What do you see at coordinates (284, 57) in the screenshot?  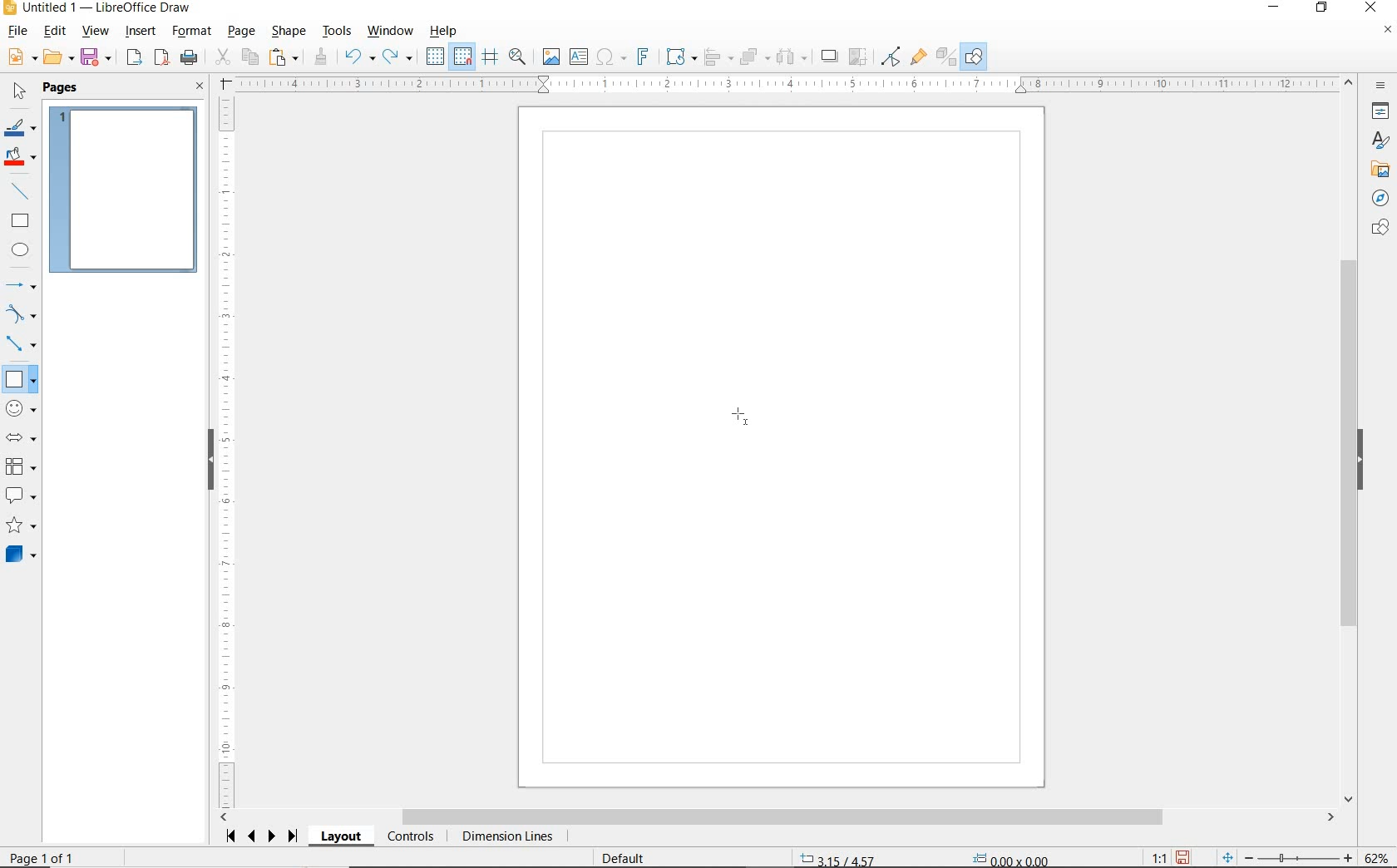 I see `PASTE` at bounding box center [284, 57].